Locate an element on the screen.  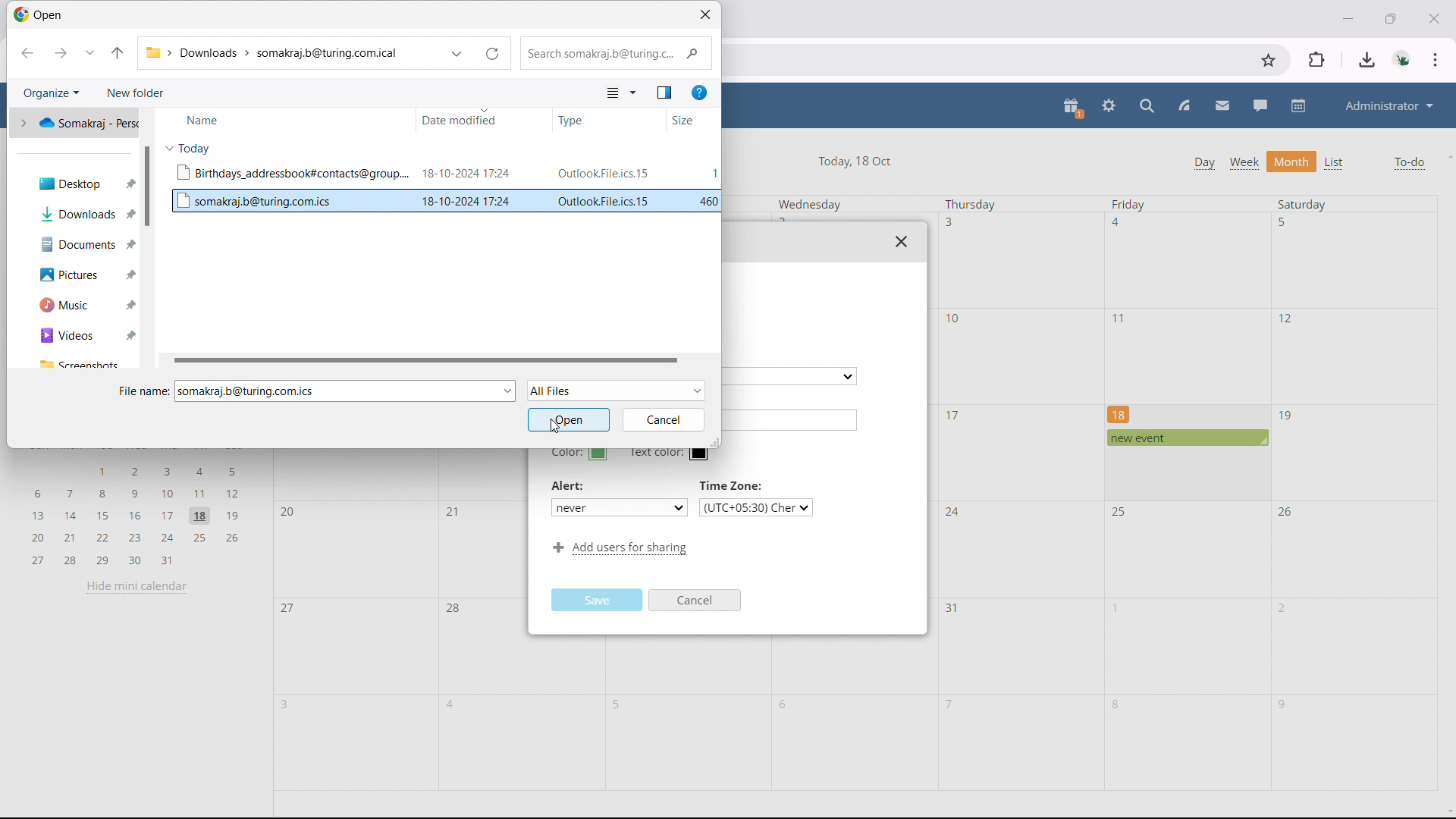
name is located at coordinates (283, 119).